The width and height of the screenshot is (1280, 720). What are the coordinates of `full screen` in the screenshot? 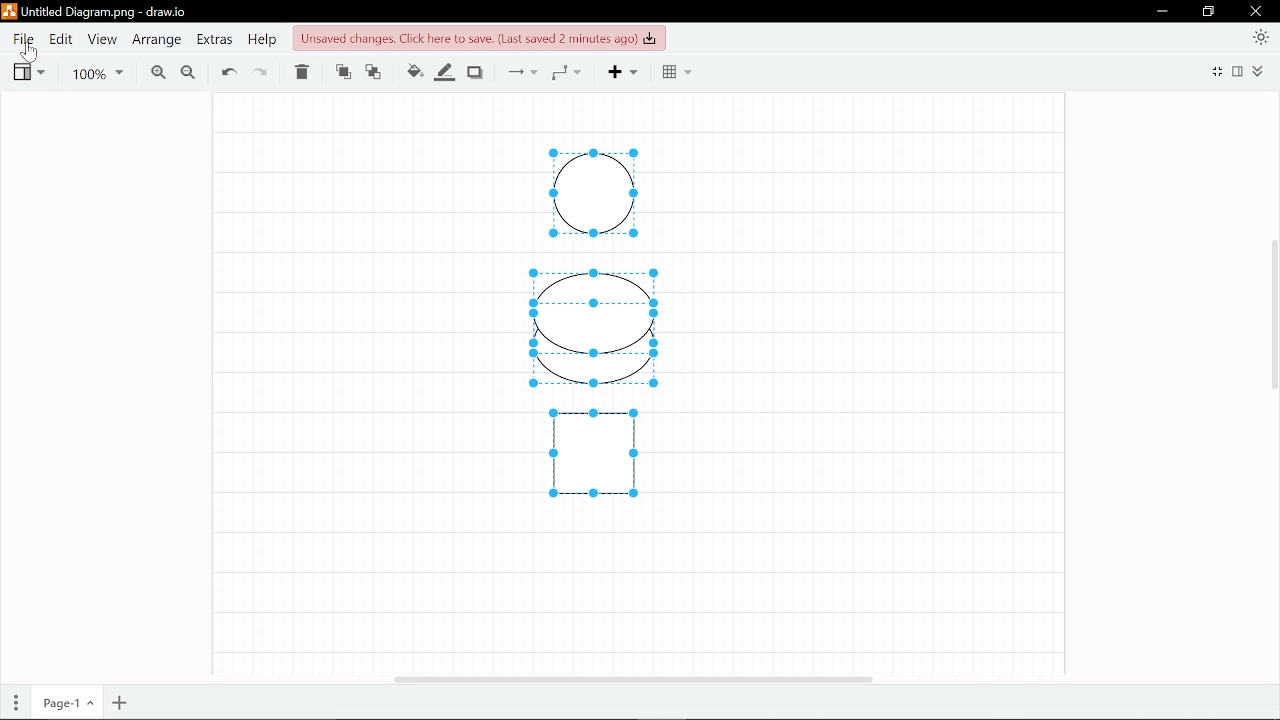 It's located at (1218, 70).